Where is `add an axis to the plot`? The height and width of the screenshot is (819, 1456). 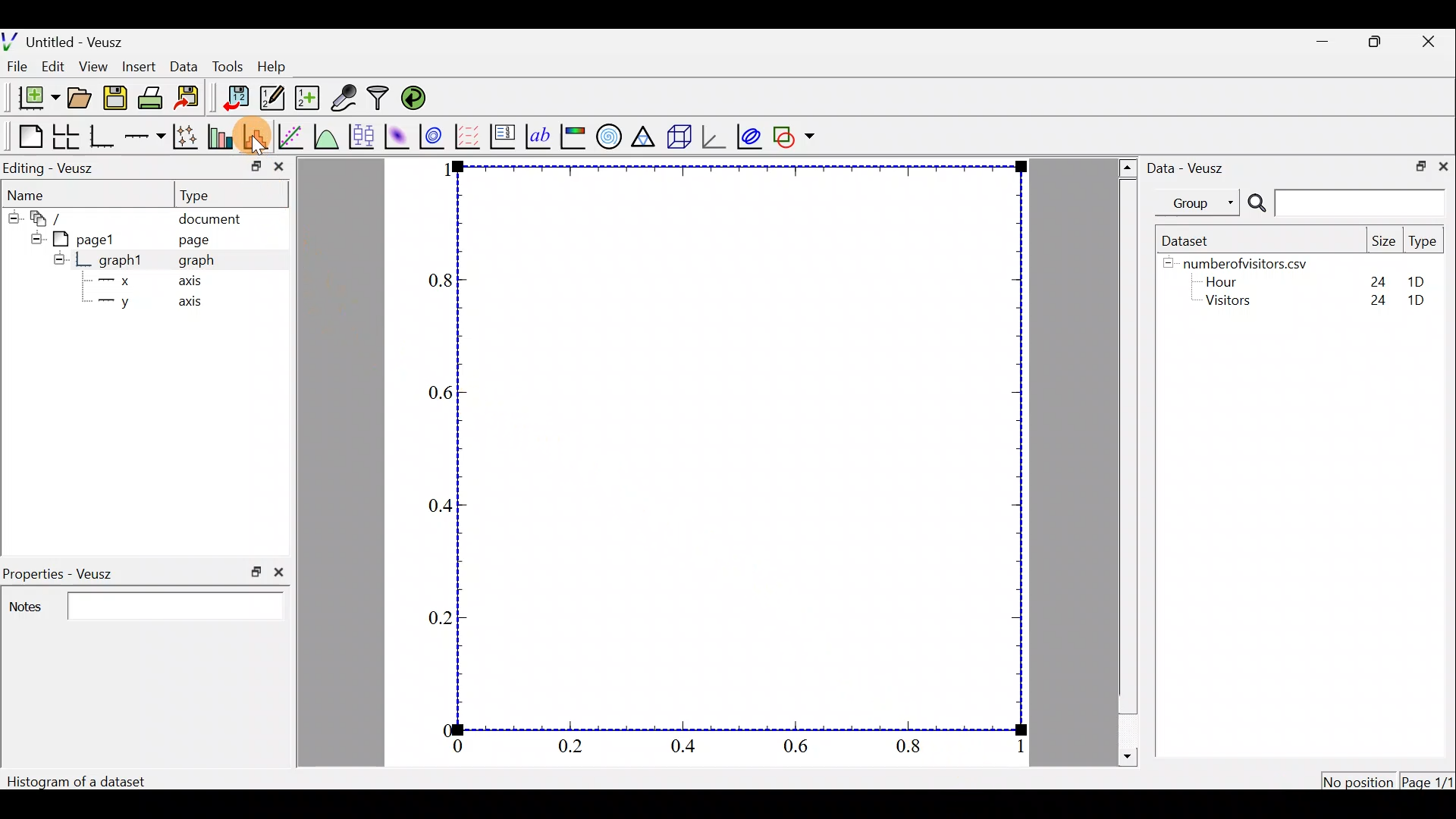
add an axis to the plot is located at coordinates (146, 135).